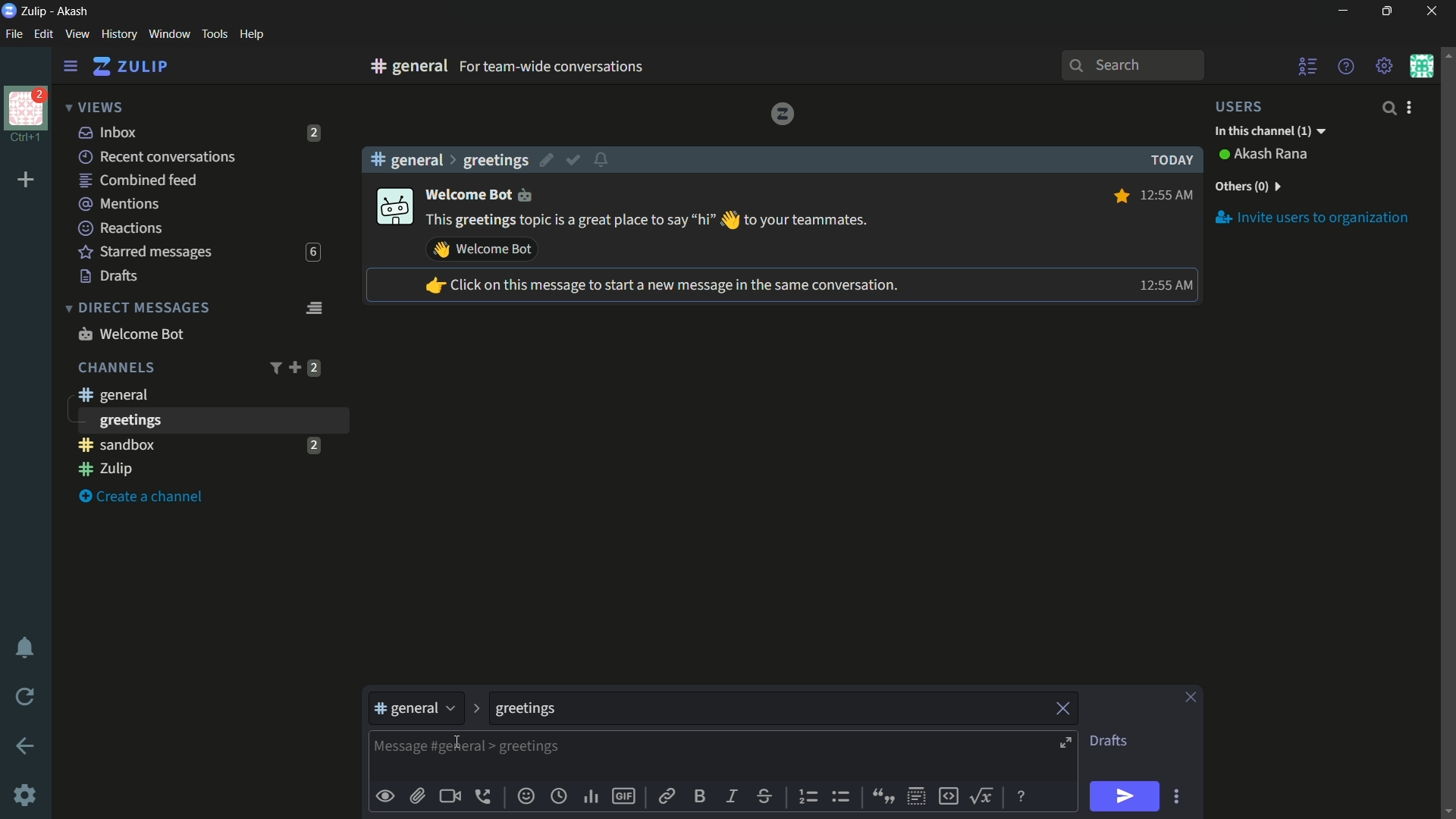  I want to click on file menu, so click(14, 35).